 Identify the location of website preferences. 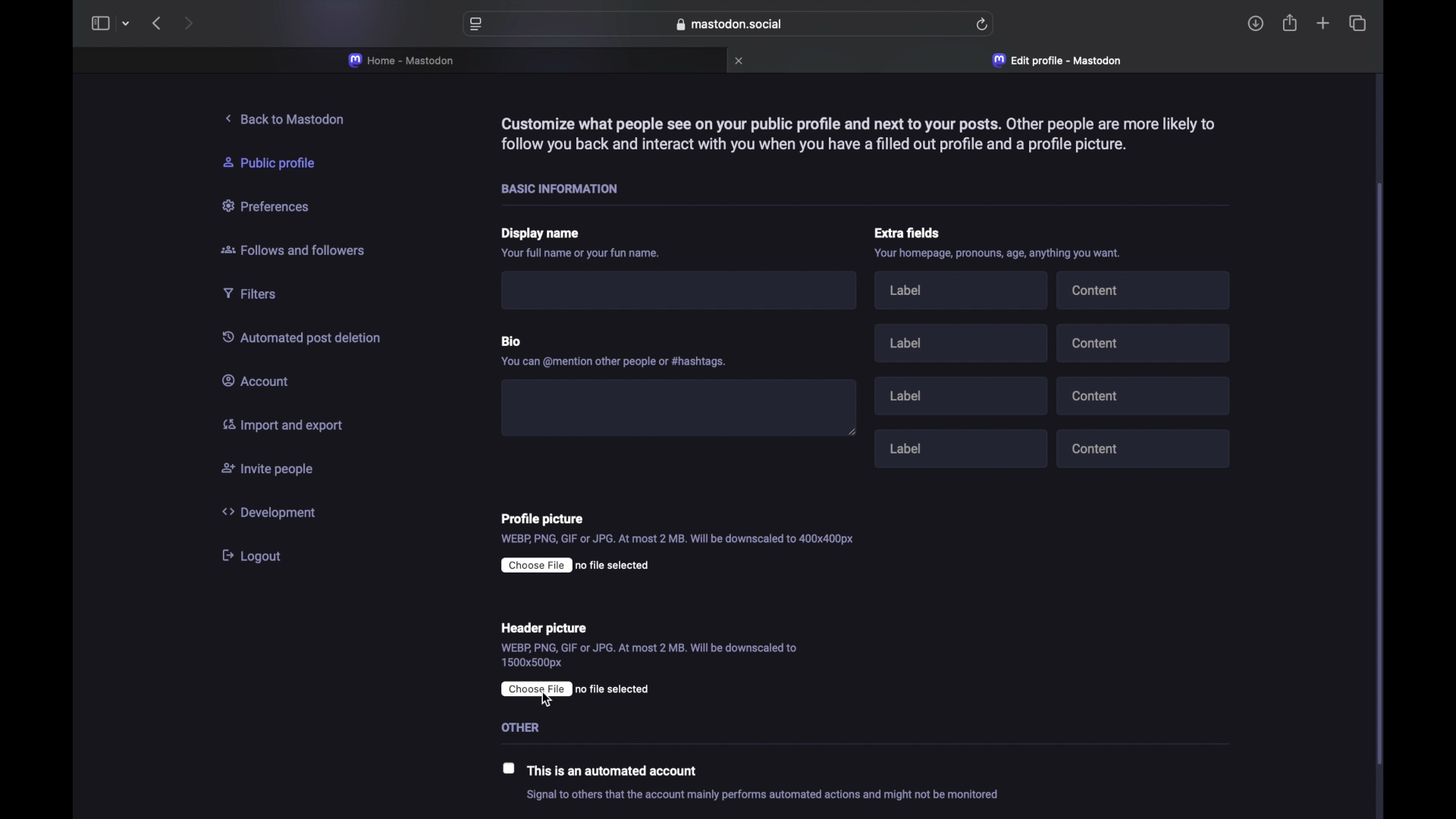
(475, 25).